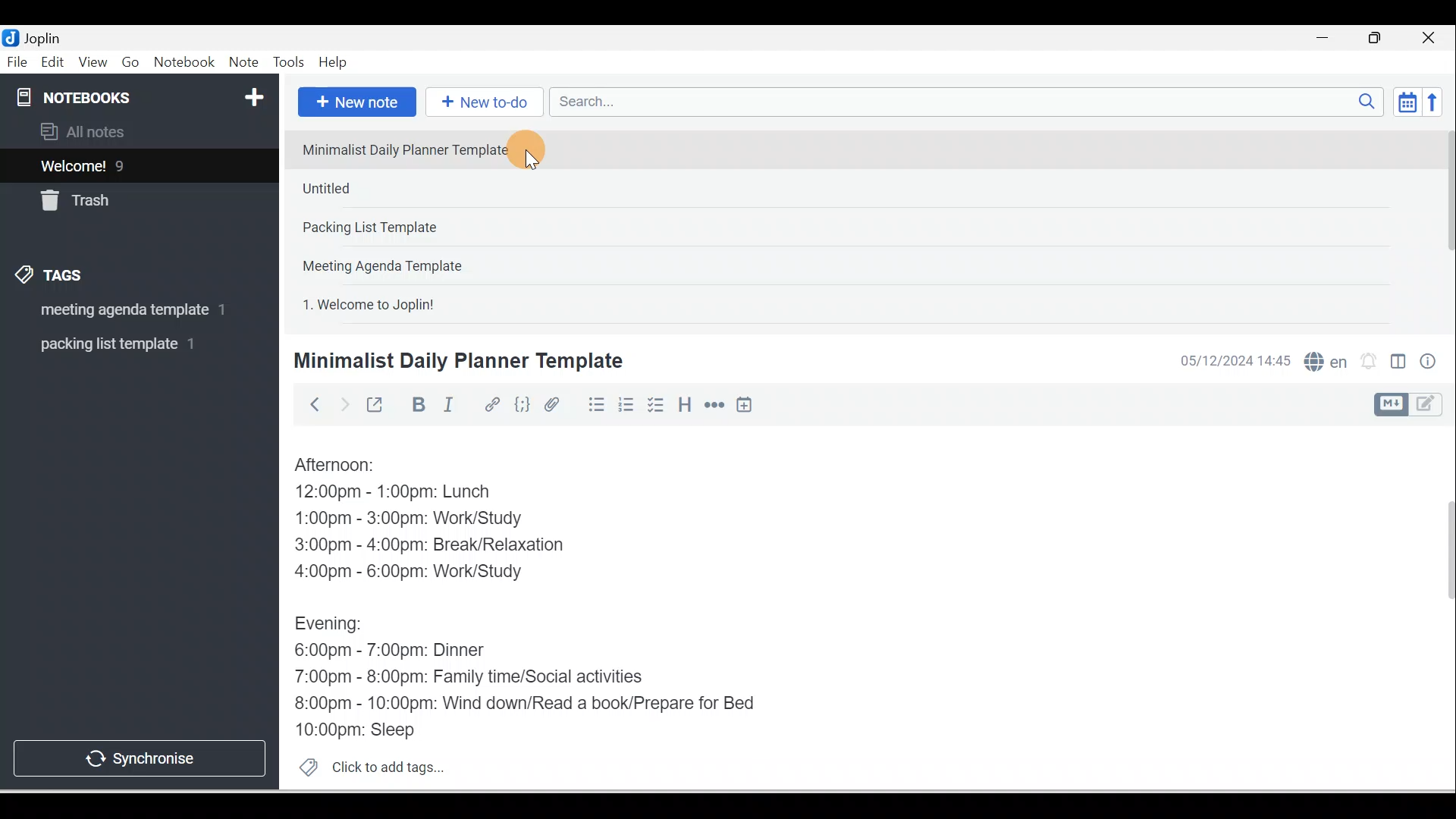 This screenshot has height=819, width=1456. I want to click on Minimalist Daily Planner Template, so click(456, 361).